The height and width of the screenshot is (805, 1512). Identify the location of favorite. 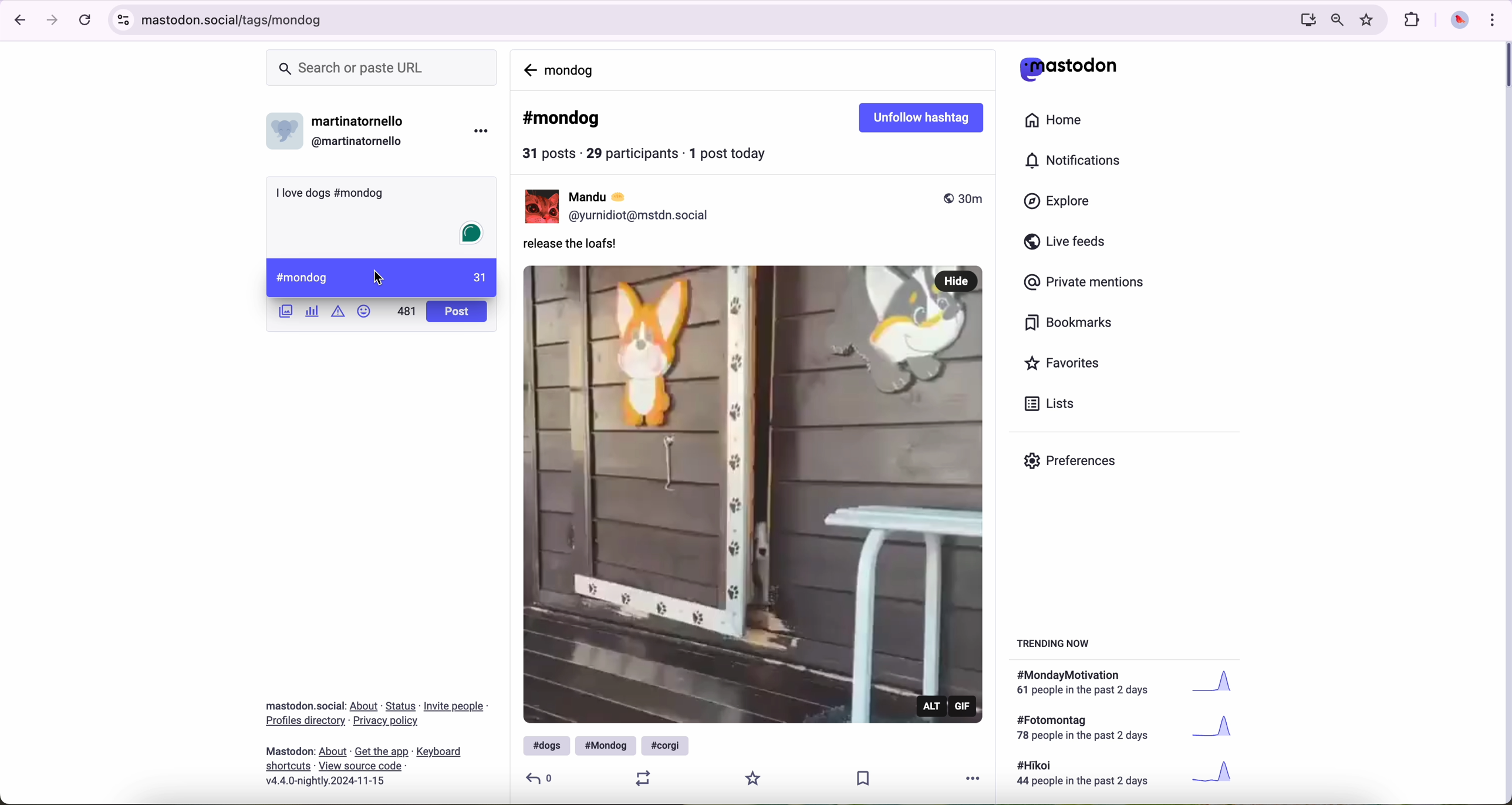
(754, 777).